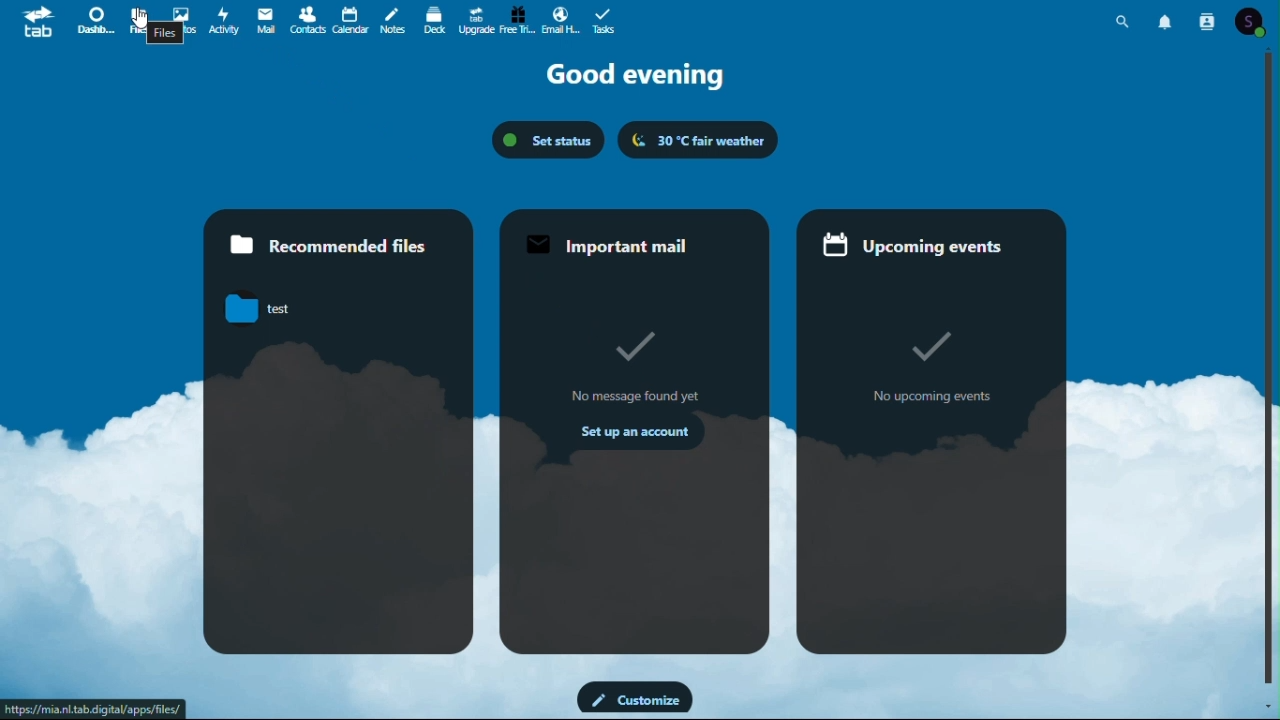 The width and height of the screenshot is (1280, 720). What do you see at coordinates (1169, 19) in the screenshot?
I see `notifications` at bounding box center [1169, 19].